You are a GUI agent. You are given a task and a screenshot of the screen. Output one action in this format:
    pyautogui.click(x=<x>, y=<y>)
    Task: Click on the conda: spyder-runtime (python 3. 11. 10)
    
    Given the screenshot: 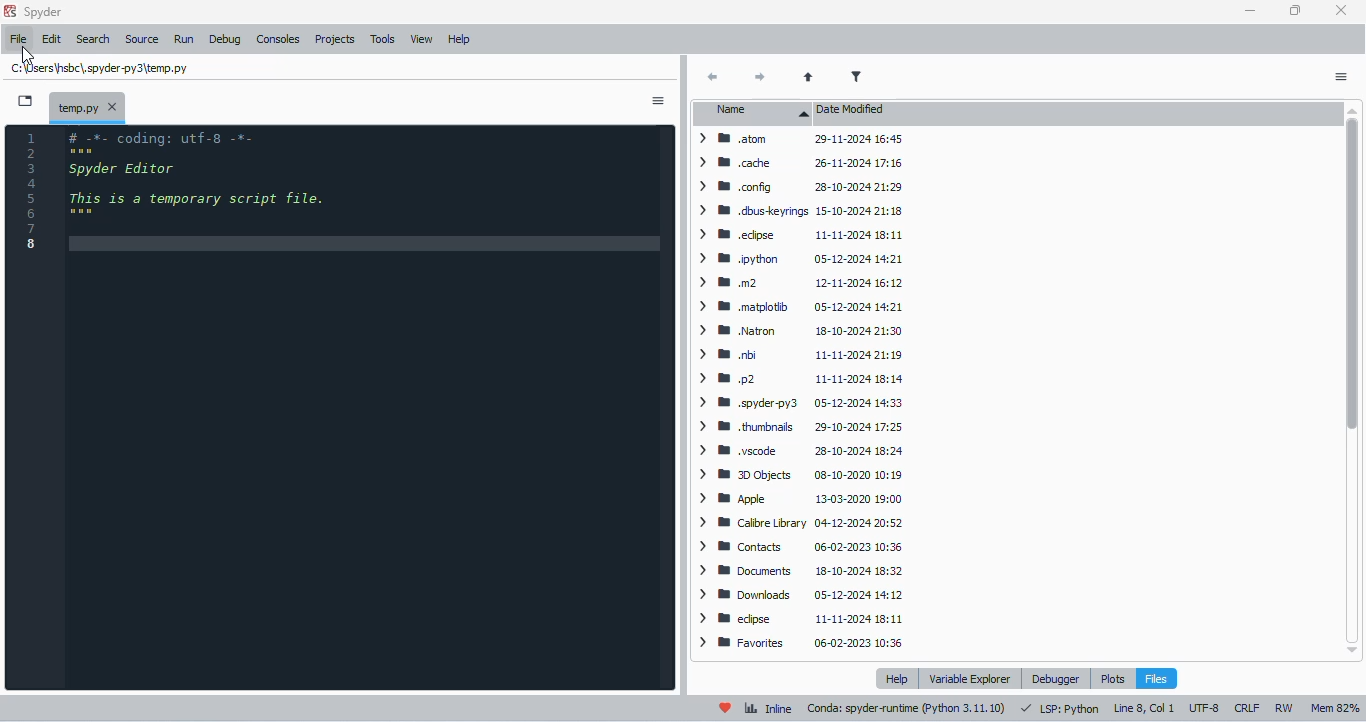 What is the action you would take?
    pyautogui.click(x=906, y=710)
    